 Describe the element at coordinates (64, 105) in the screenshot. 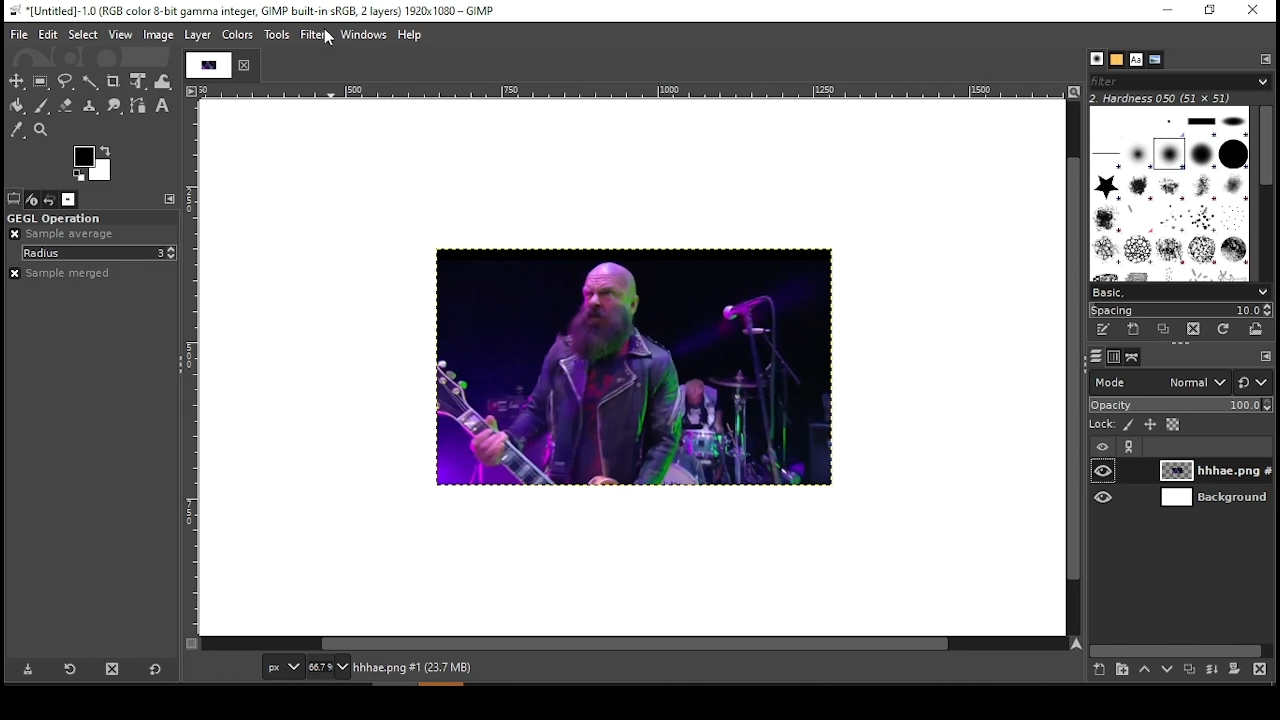

I see `eraser tool` at that location.